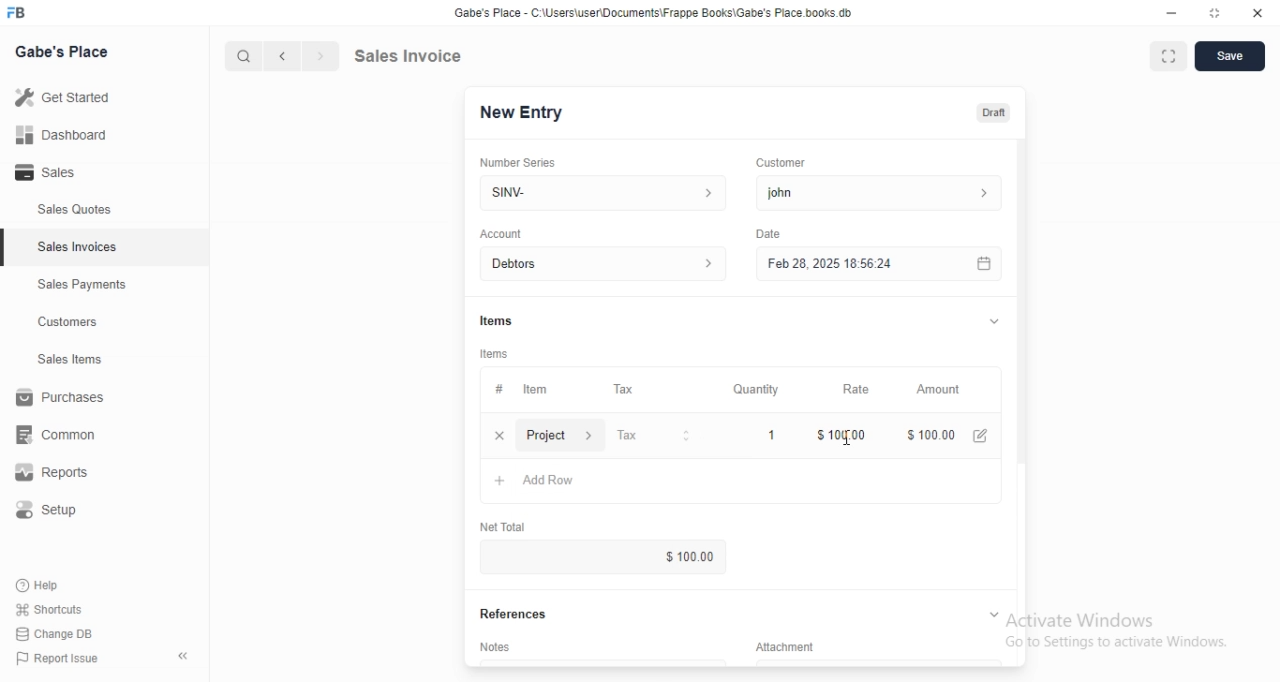  Describe the element at coordinates (995, 113) in the screenshot. I see `Draft` at that location.